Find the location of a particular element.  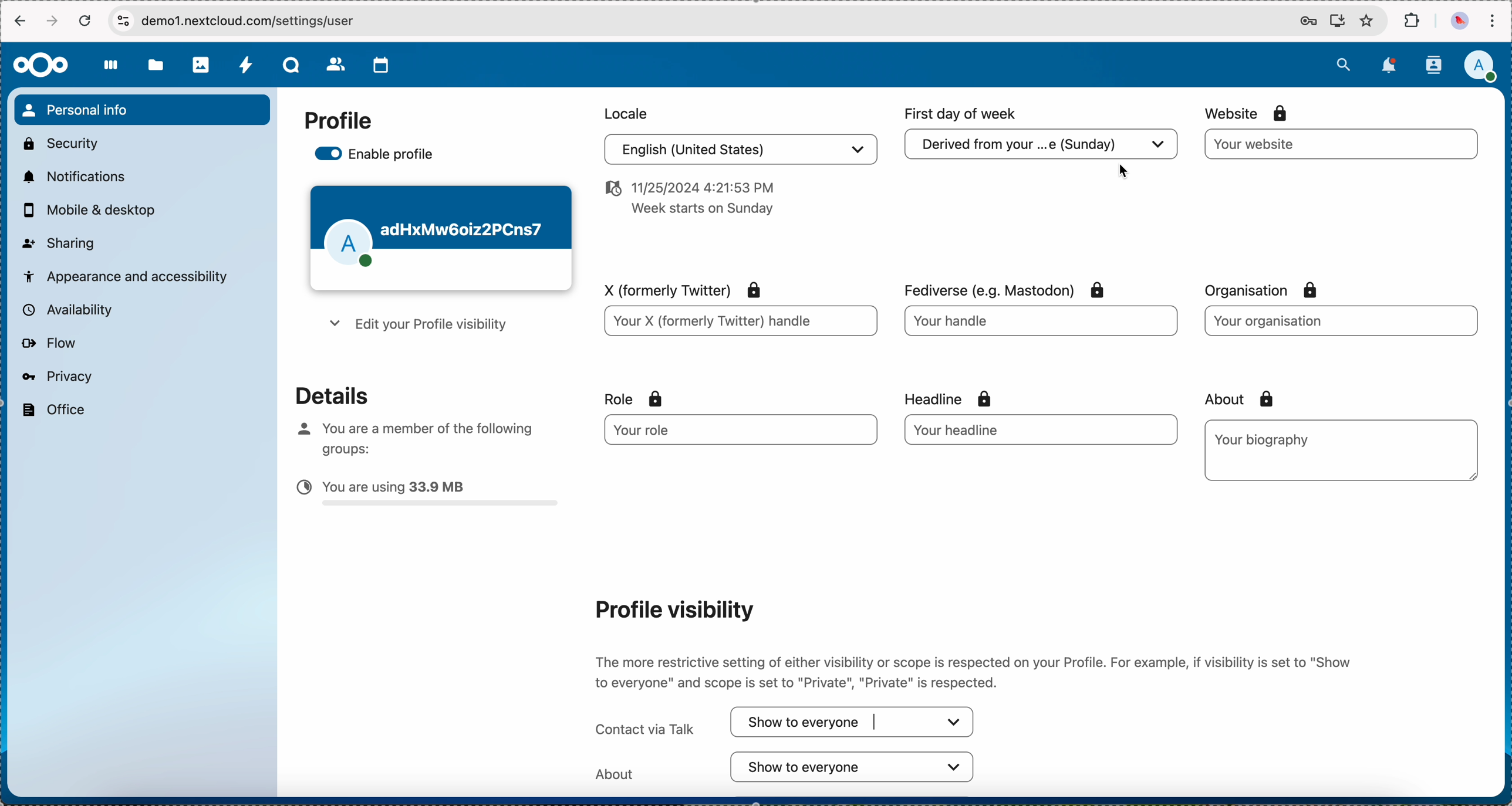

Nextcloud logo is located at coordinates (39, 65).